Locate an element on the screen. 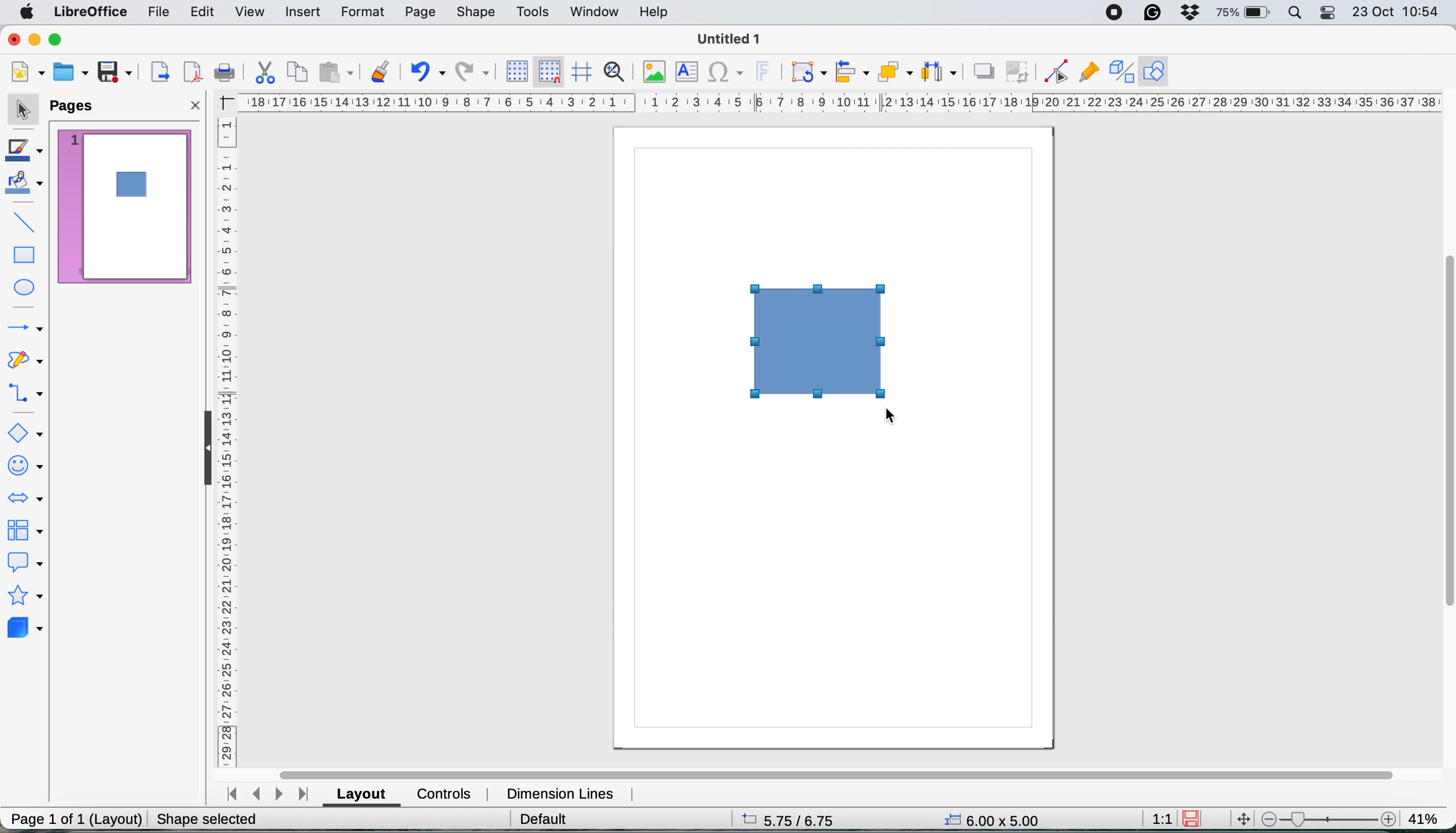 This screenshot has width=1456, height=833. 1:1 is located at coordinates (1160, 817).